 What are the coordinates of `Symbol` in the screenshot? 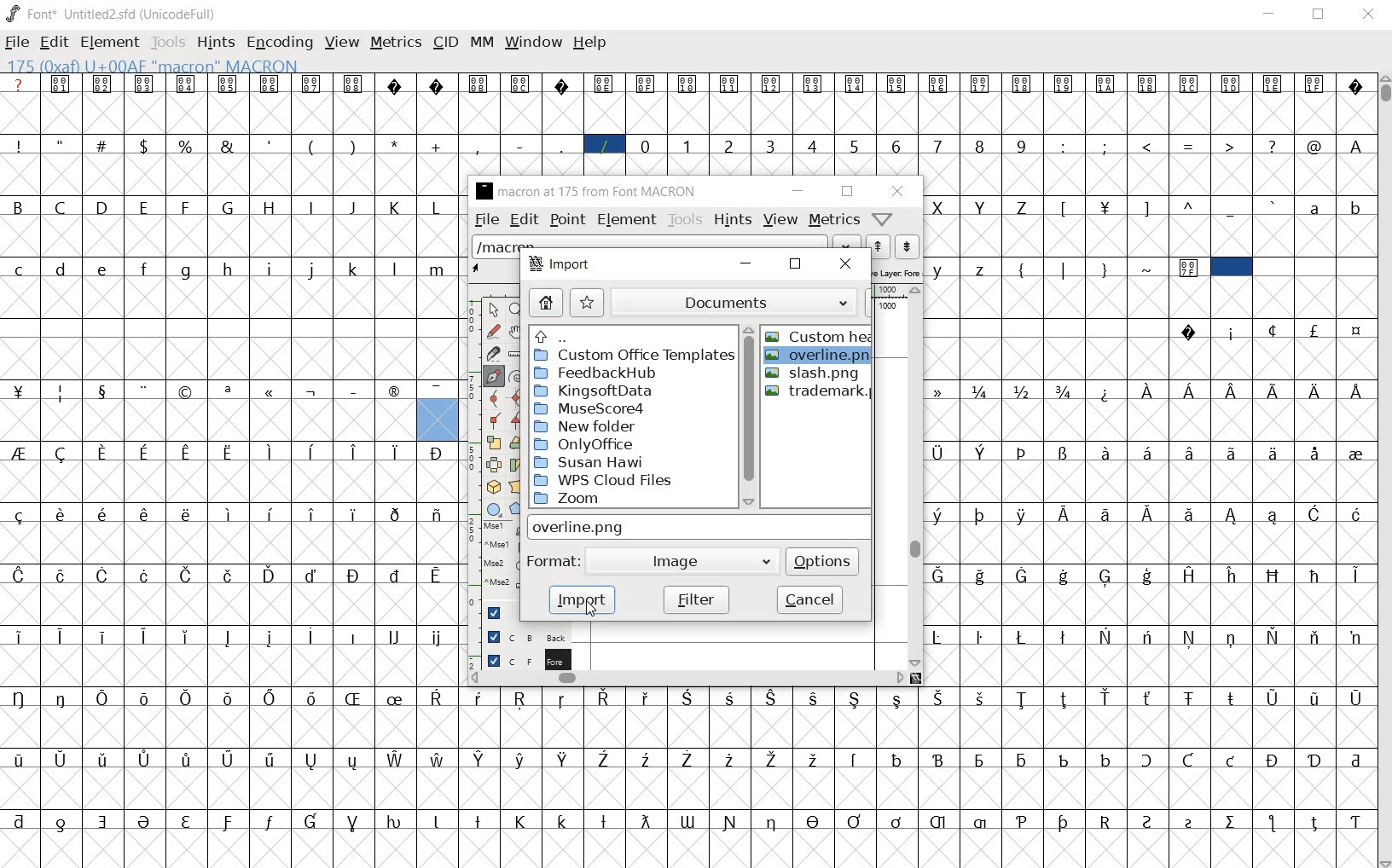 It's located at (63, 392).